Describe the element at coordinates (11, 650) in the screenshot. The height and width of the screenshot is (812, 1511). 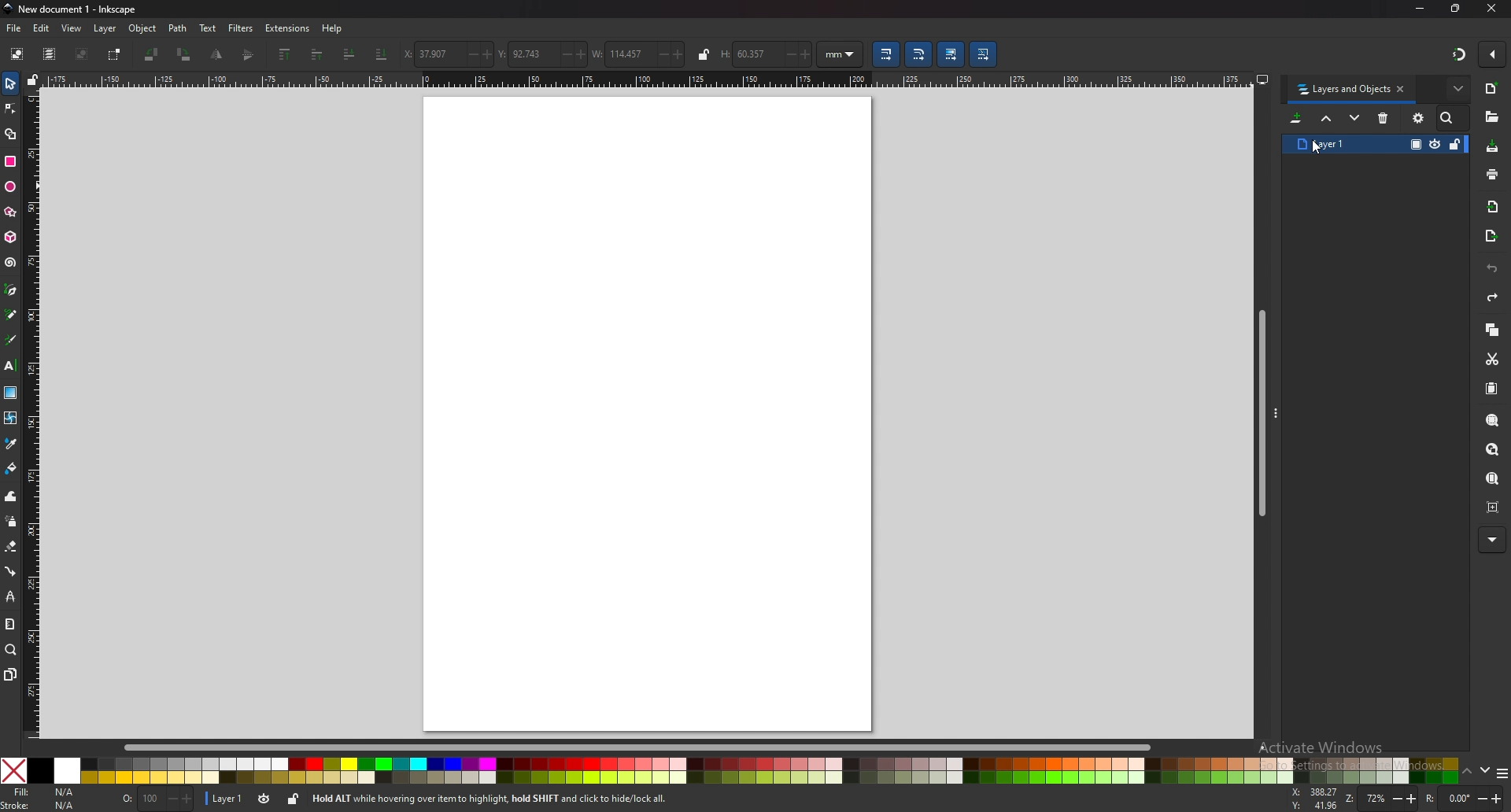
I see `zoom` at that location.